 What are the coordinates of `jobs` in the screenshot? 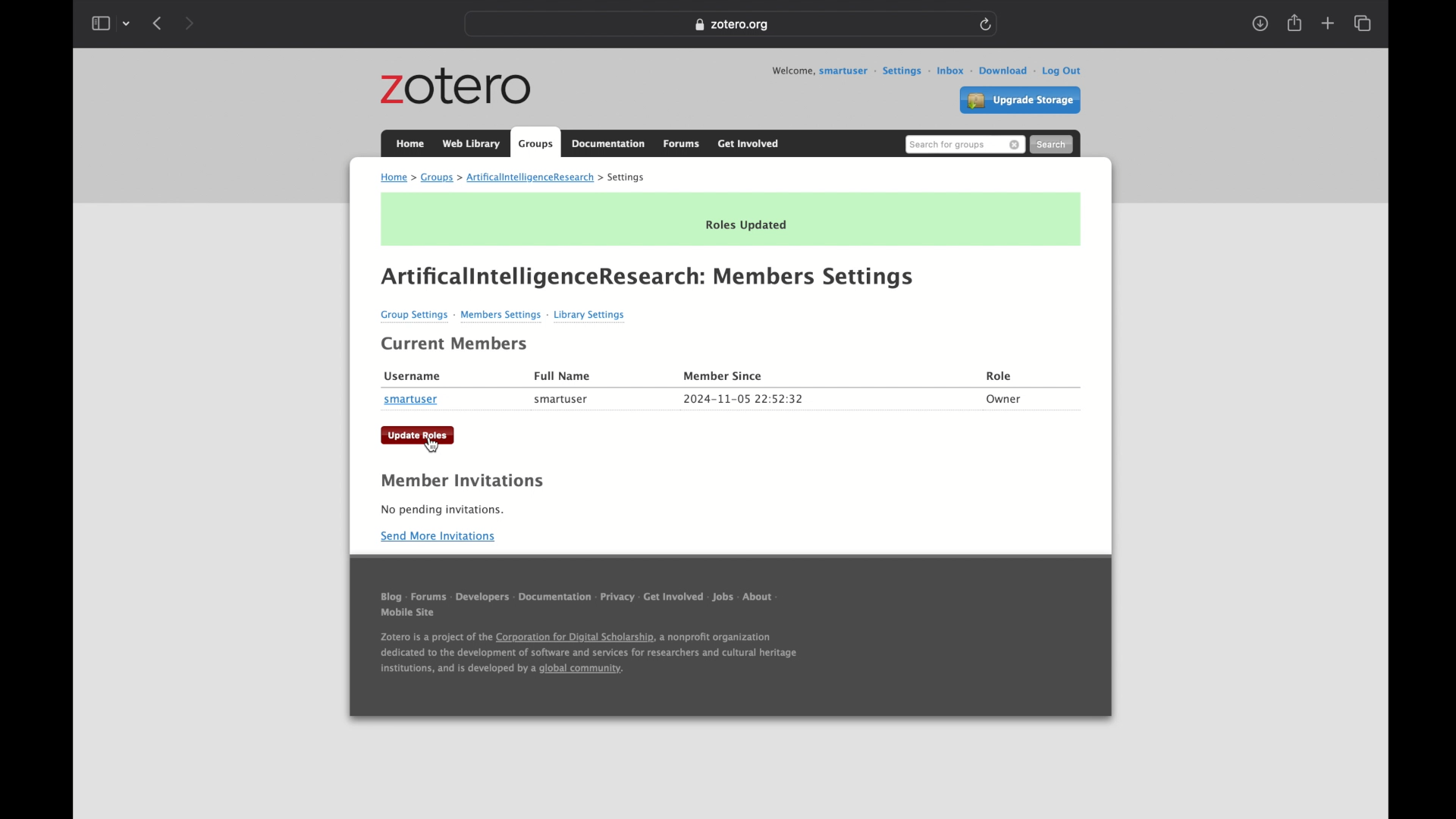 It's located at (723, 600).